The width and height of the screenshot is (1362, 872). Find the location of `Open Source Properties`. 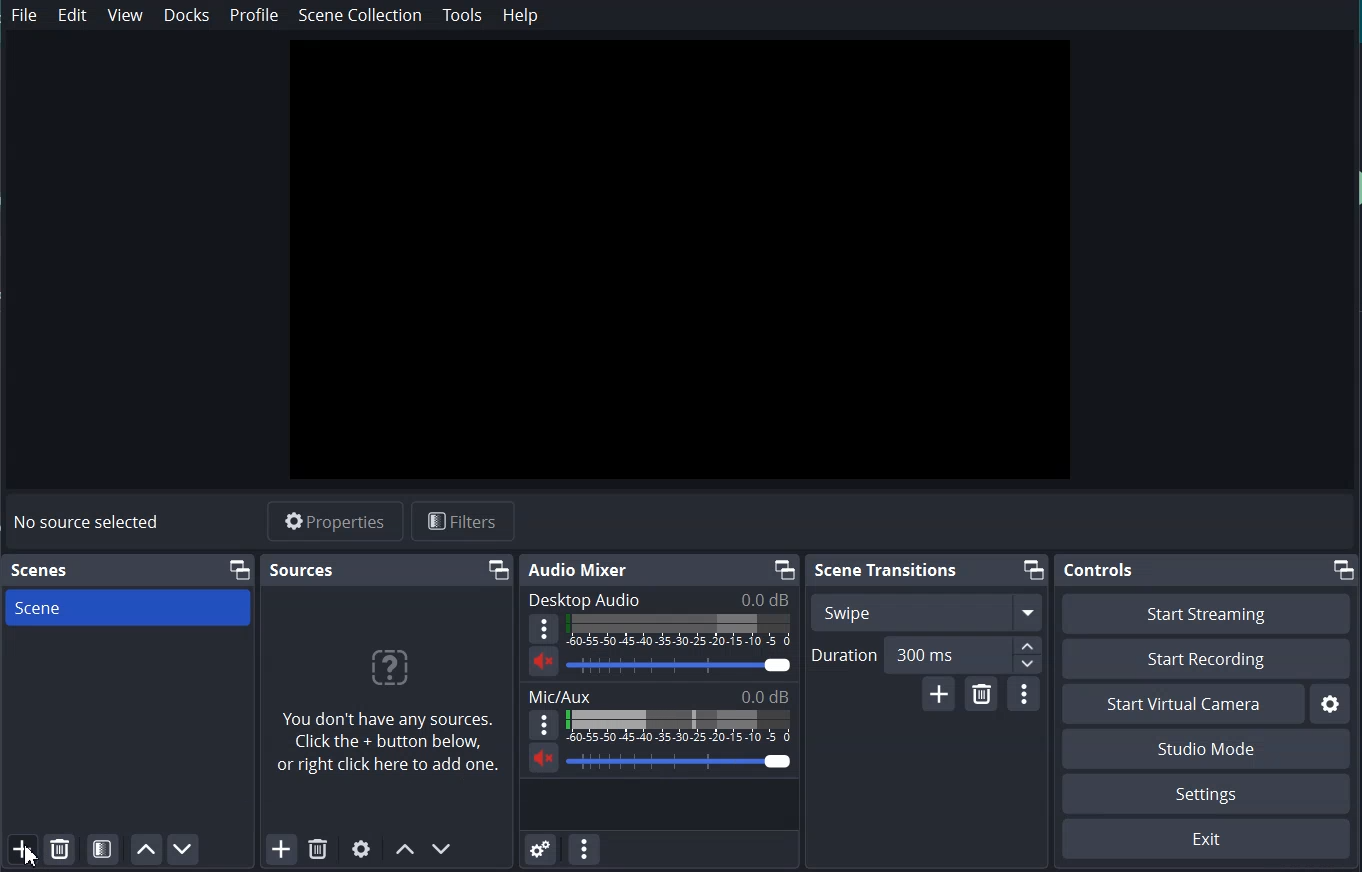

Open Source Properties is located at coordinates (362, 850).